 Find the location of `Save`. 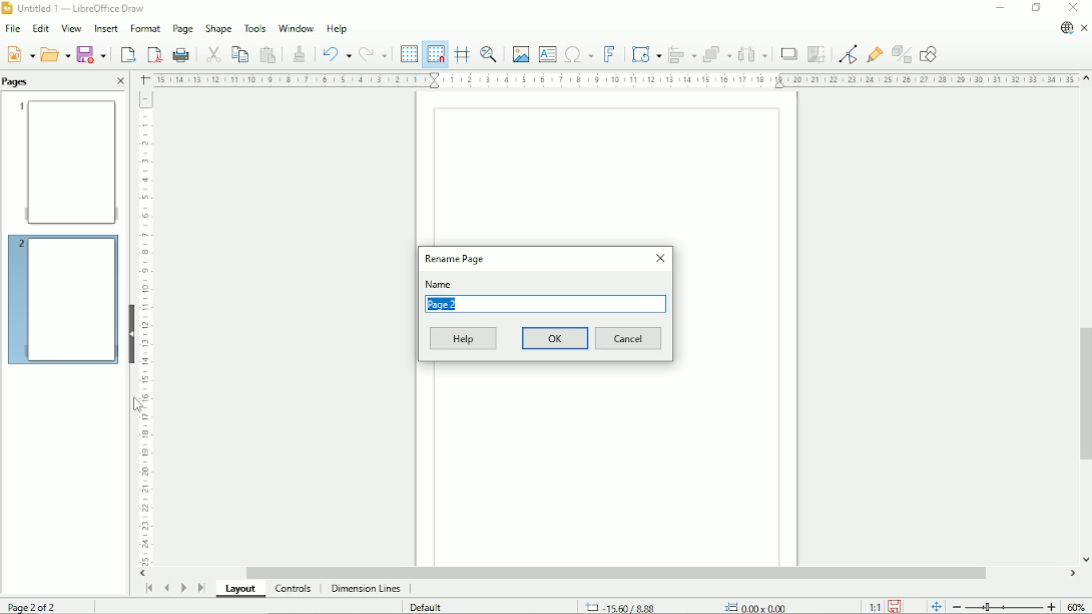

Save is located at coordinates (896, 605).